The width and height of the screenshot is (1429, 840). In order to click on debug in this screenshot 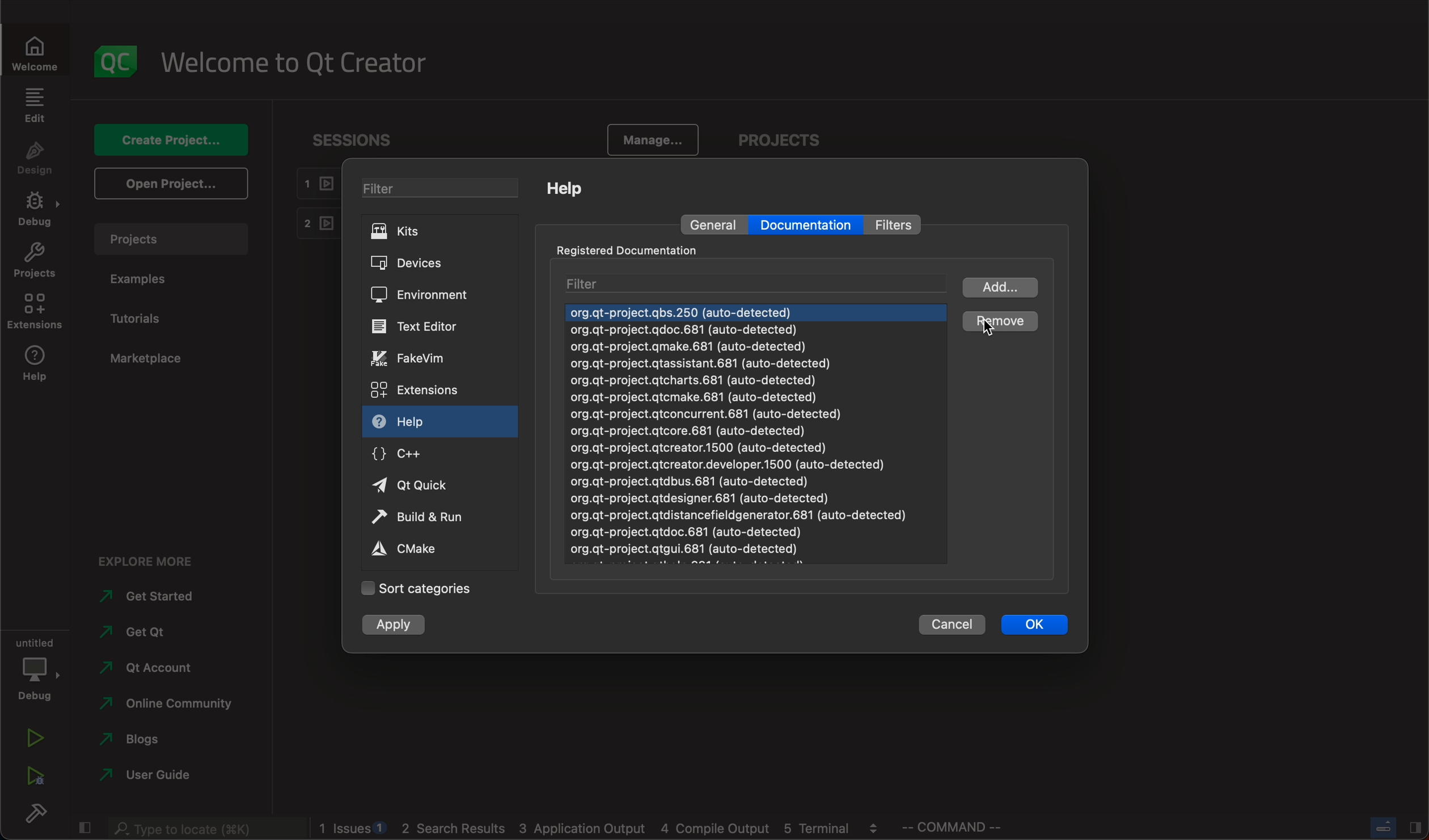, I will do `click(38, 667)`.